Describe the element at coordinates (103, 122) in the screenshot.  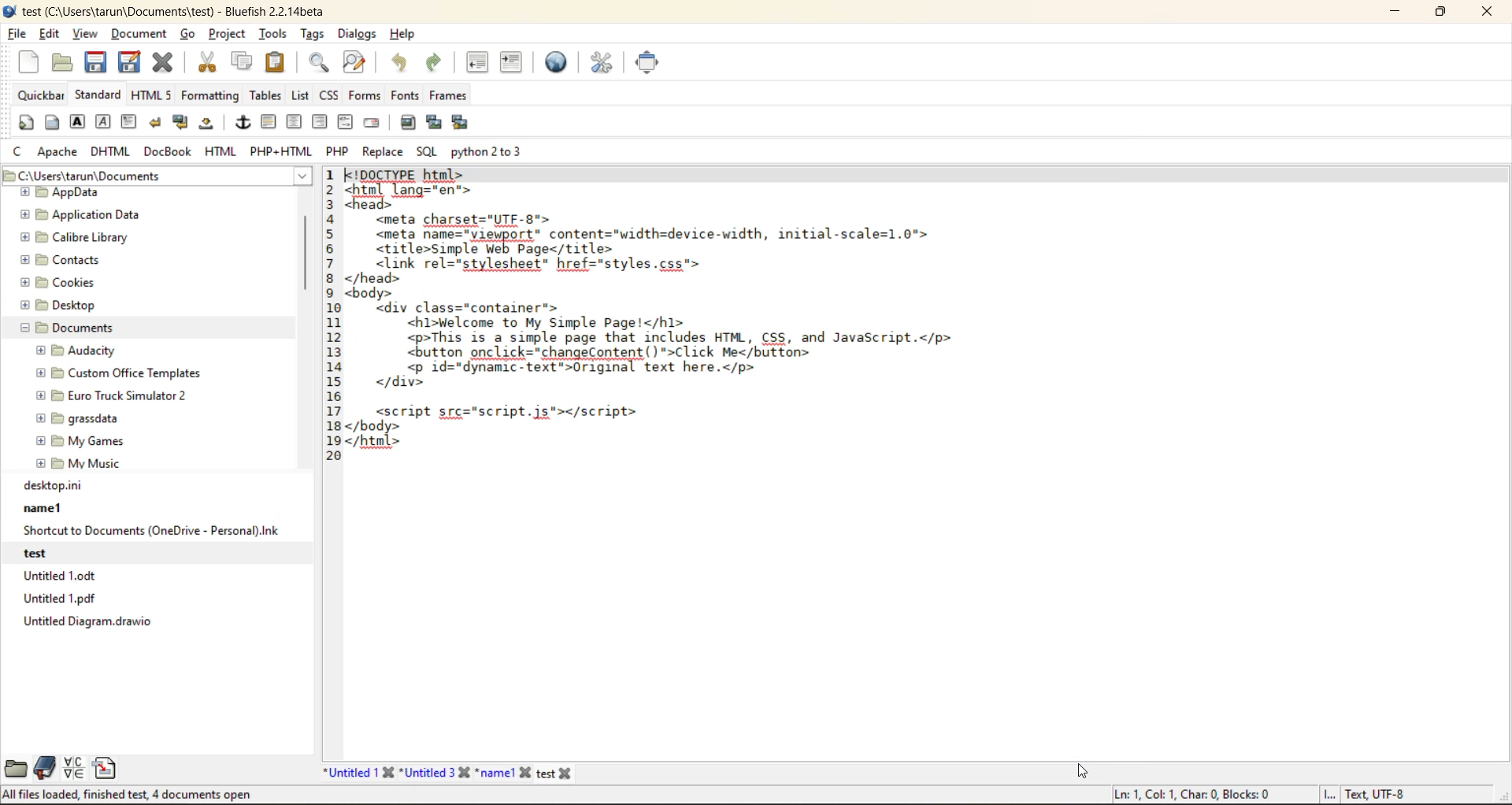
I see `emphasis` at that location.